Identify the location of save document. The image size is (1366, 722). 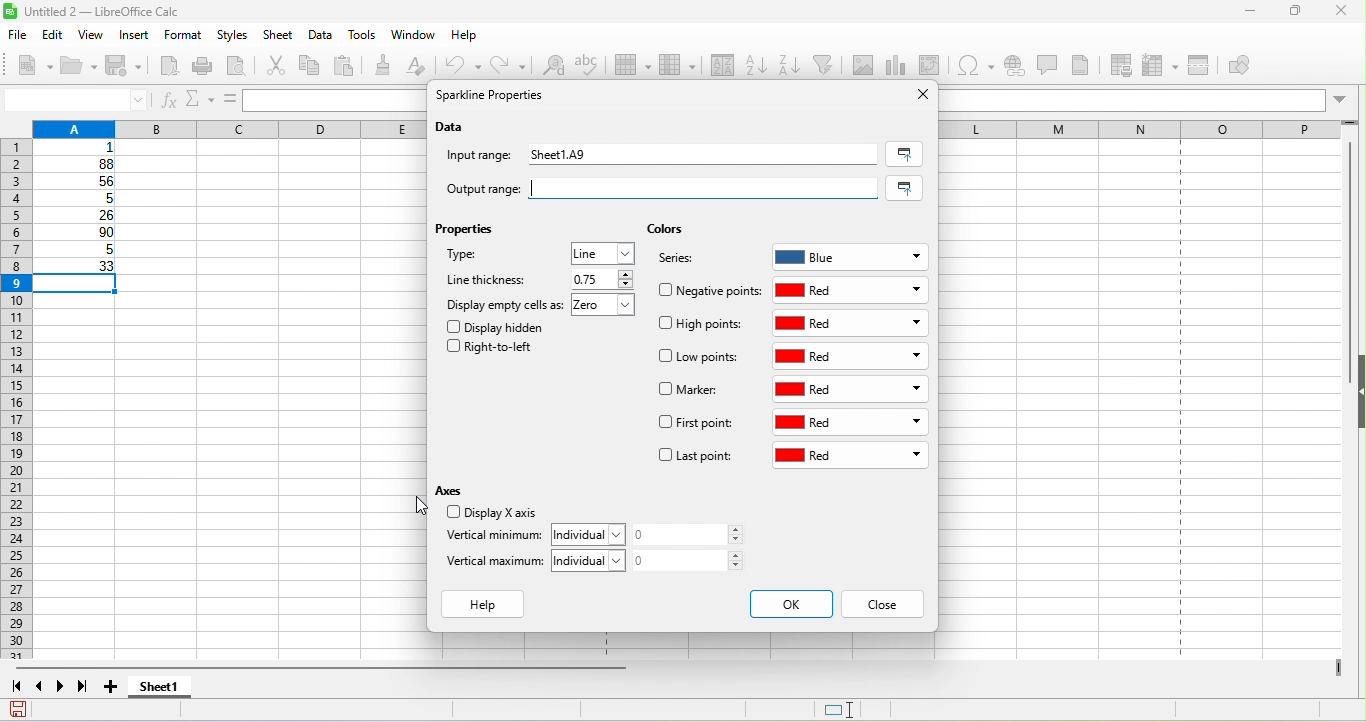
(18, 709).